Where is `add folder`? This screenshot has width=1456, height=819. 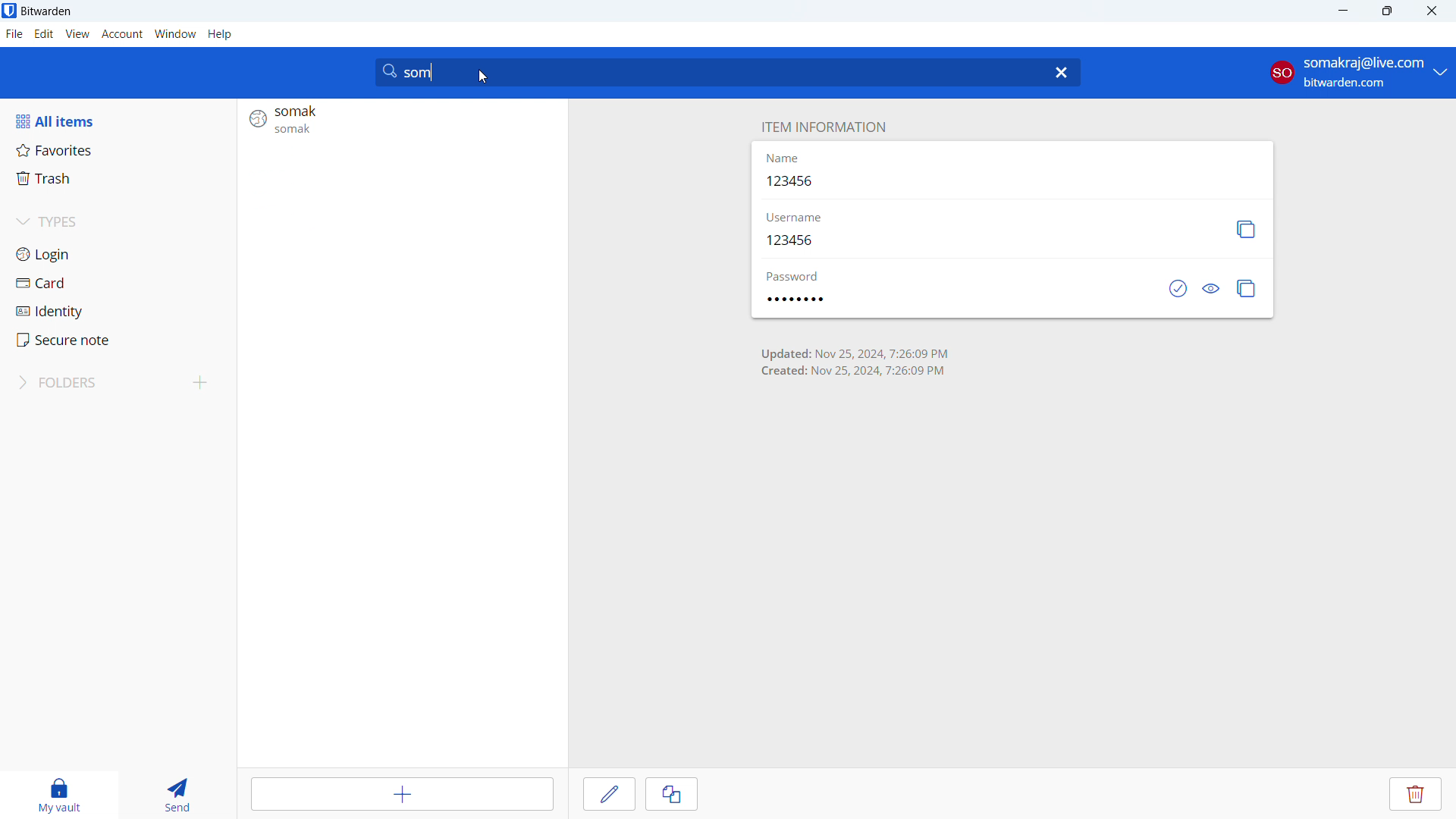
add folder is located at coordinates (202, 383).